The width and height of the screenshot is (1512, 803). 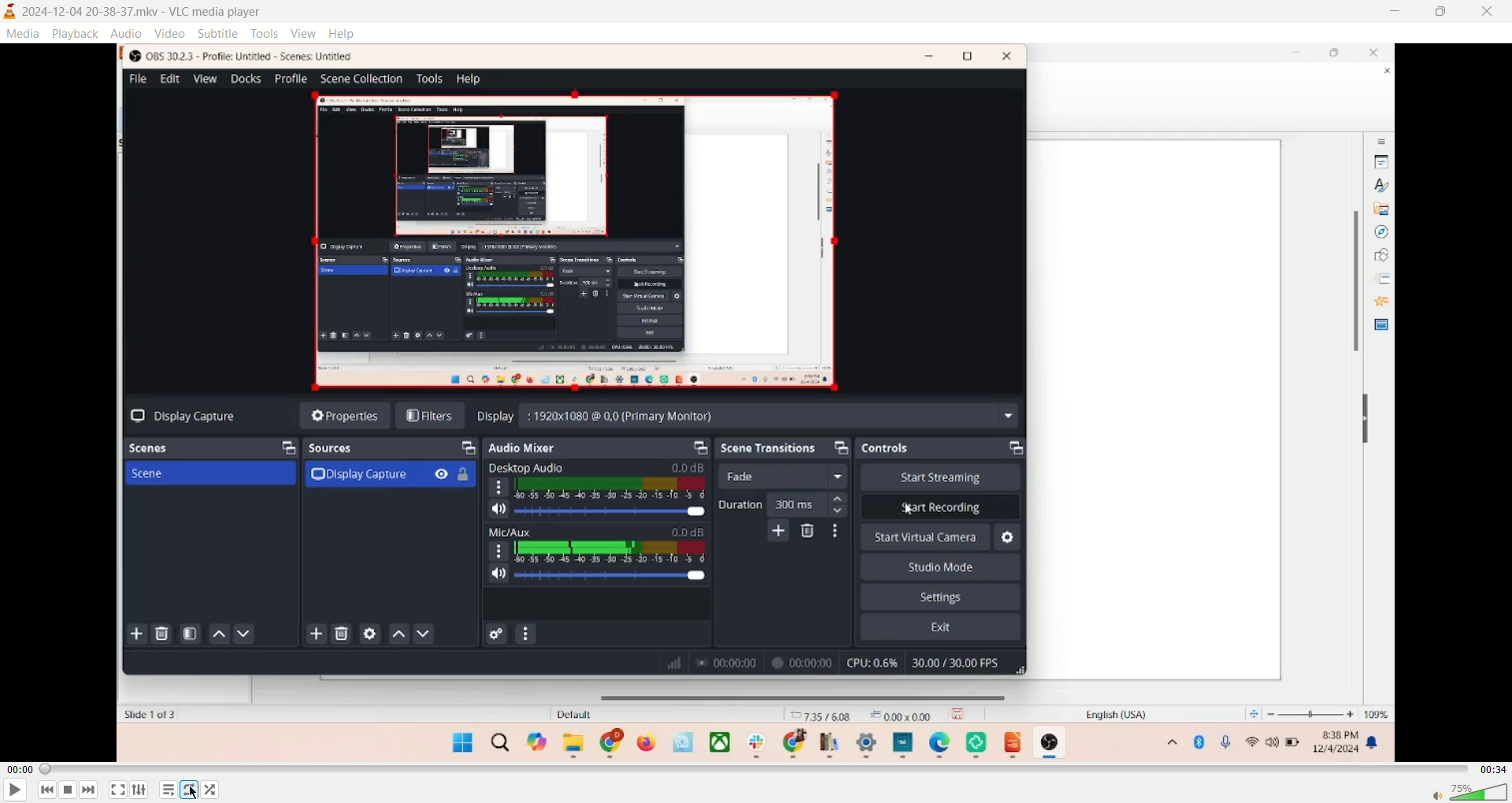 What do you see at coordinates (16, 791) in the screenshot?
I see `play` at bounding box center [16, 791].